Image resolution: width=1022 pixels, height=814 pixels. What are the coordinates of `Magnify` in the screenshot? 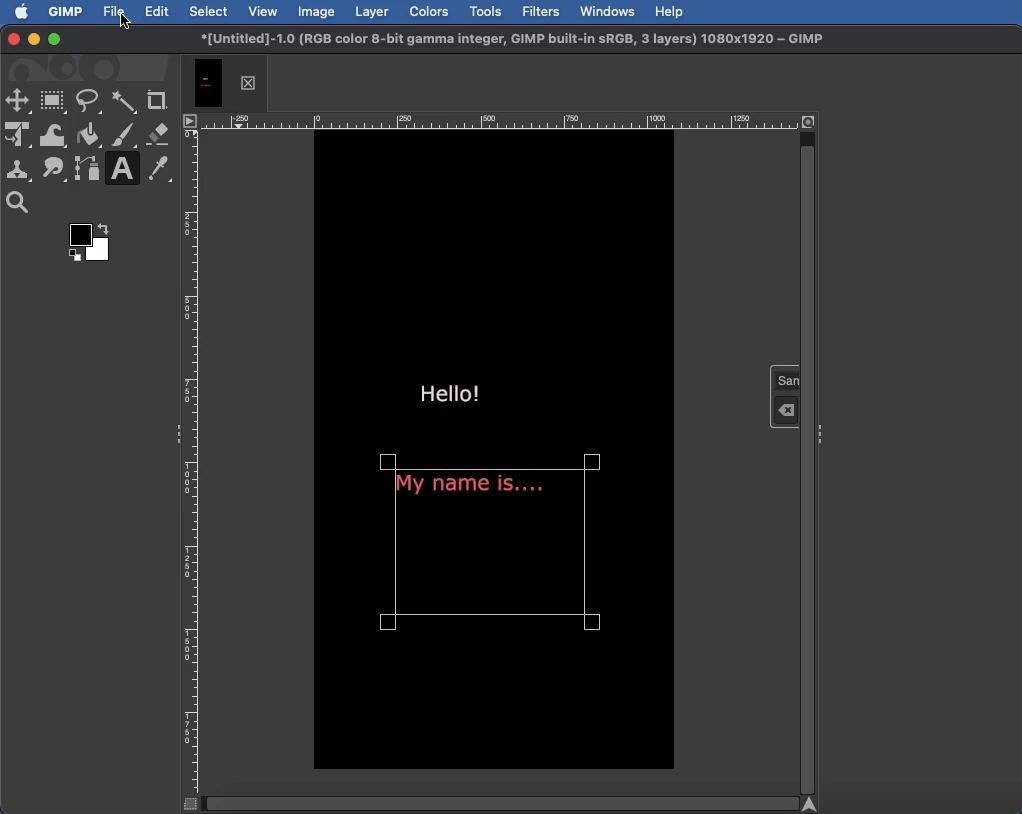 It's located at (22, 203).